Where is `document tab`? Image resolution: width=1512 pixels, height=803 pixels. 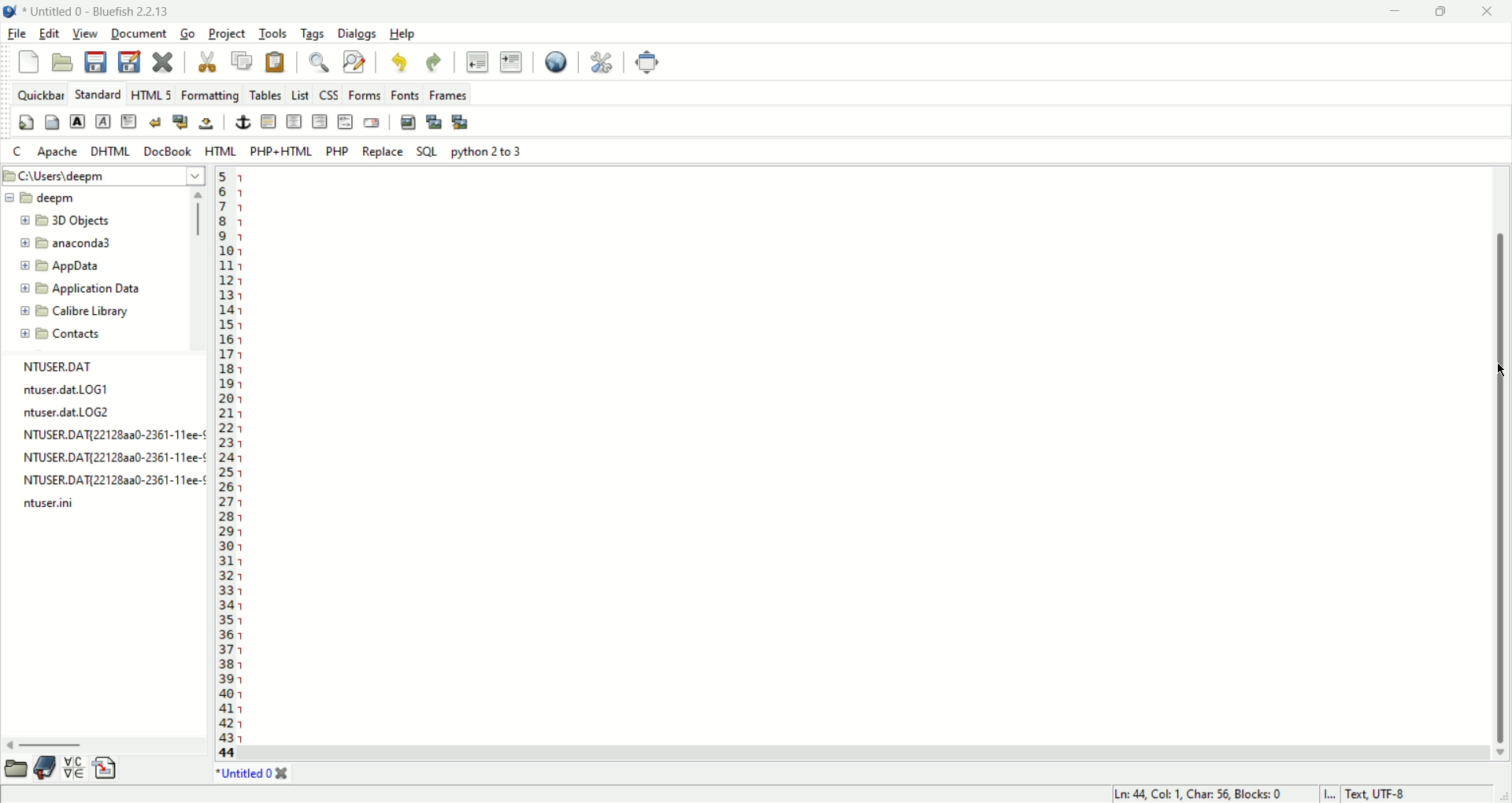 document tab is located at coordinates (245, 776).